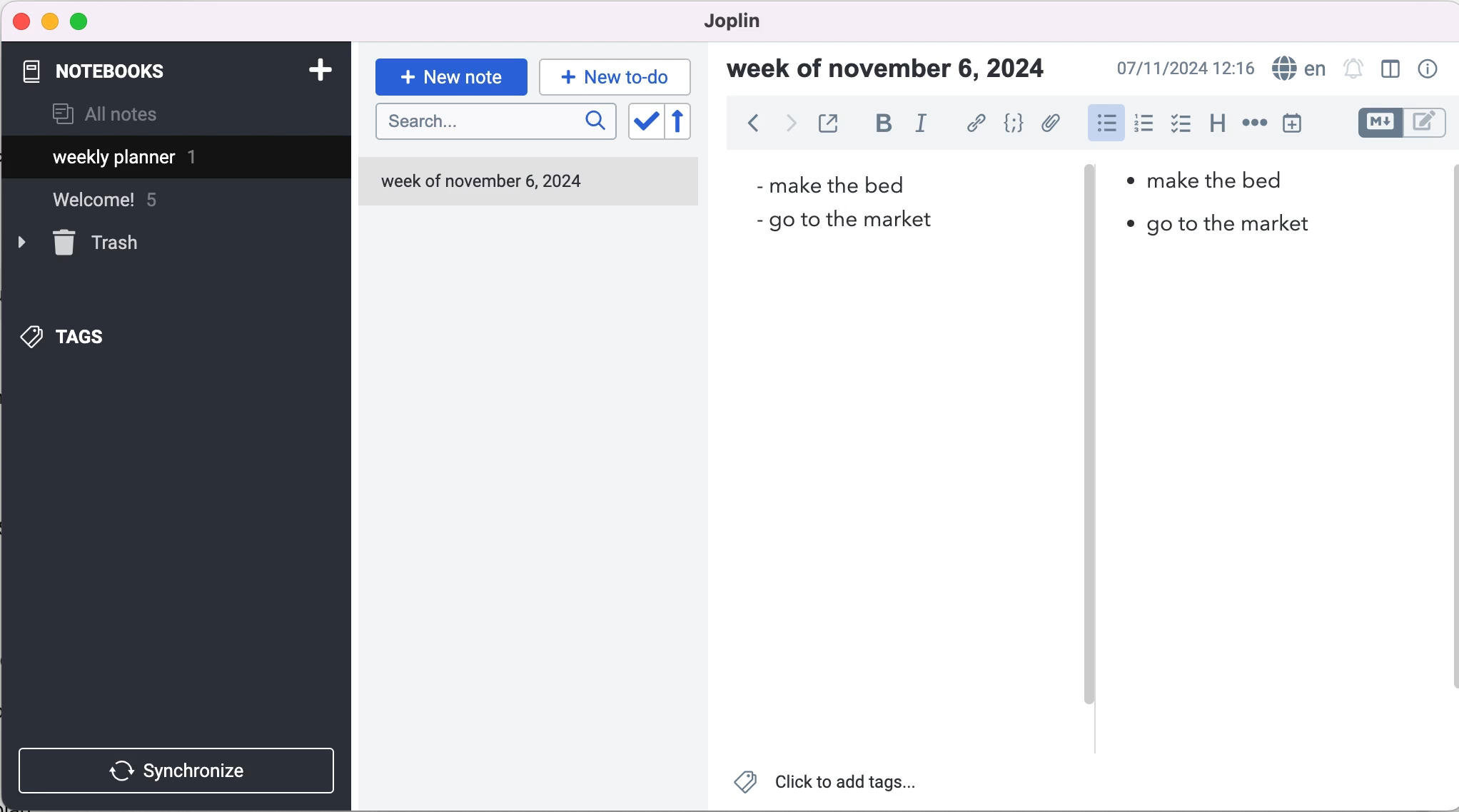  Describe the element at coordinates (1430, 68) in the screenshot. I see `properties note` at that location.